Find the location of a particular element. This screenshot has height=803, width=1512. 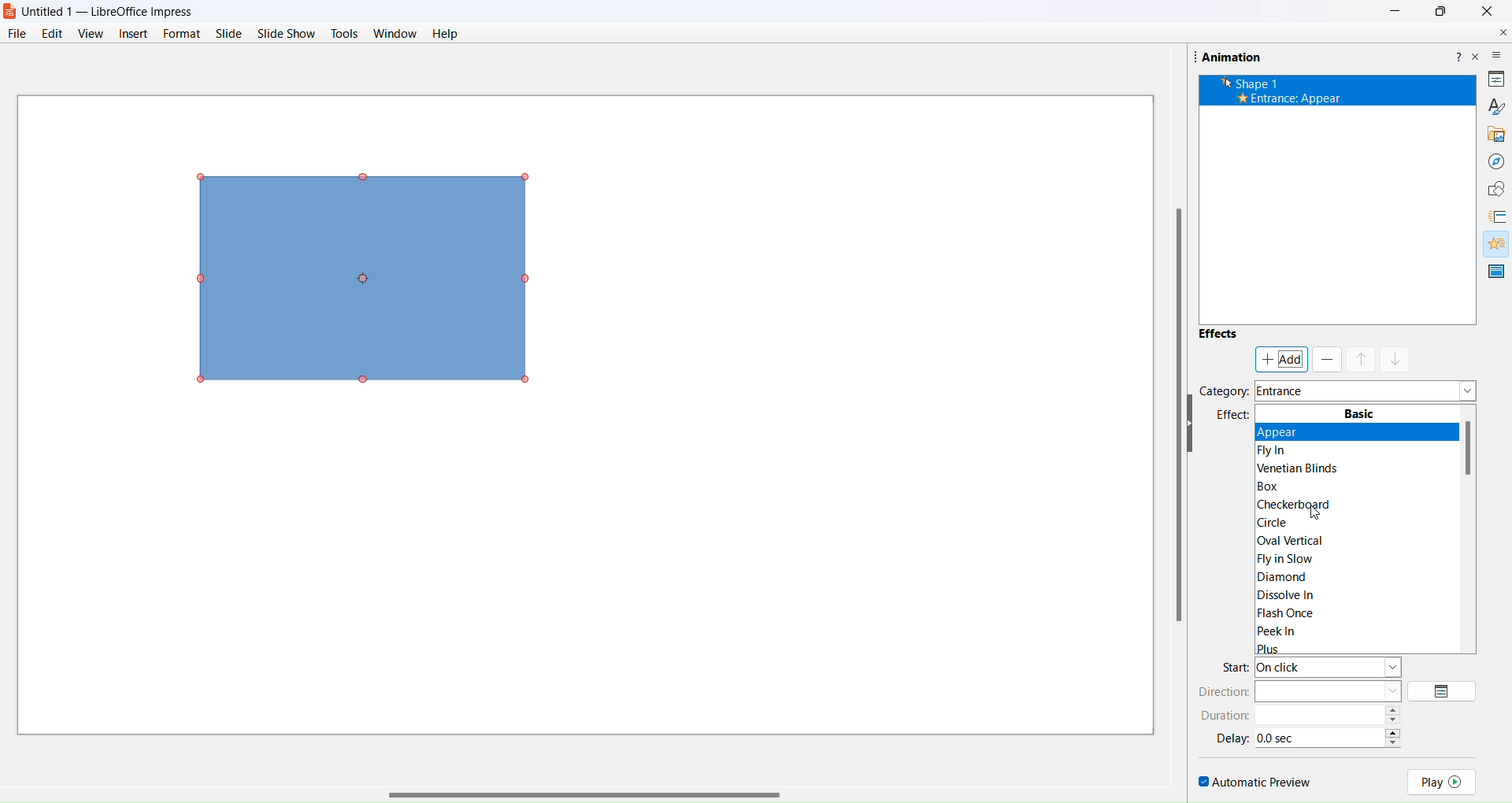

Untitled 1 — LibreOffice Impress is located at coordinates (117, 10).